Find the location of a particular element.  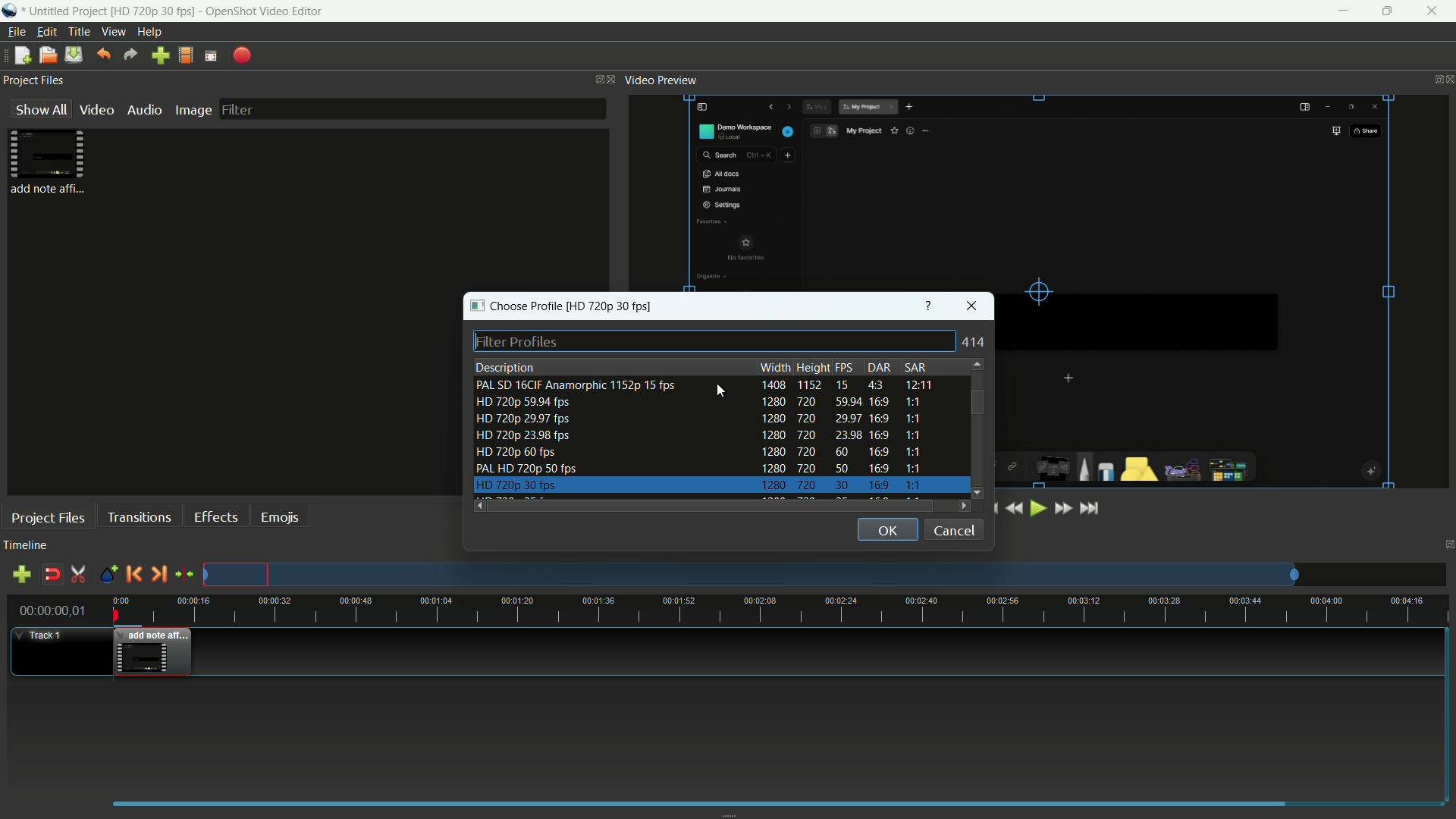

cancel is located at coordinates (955, 529).